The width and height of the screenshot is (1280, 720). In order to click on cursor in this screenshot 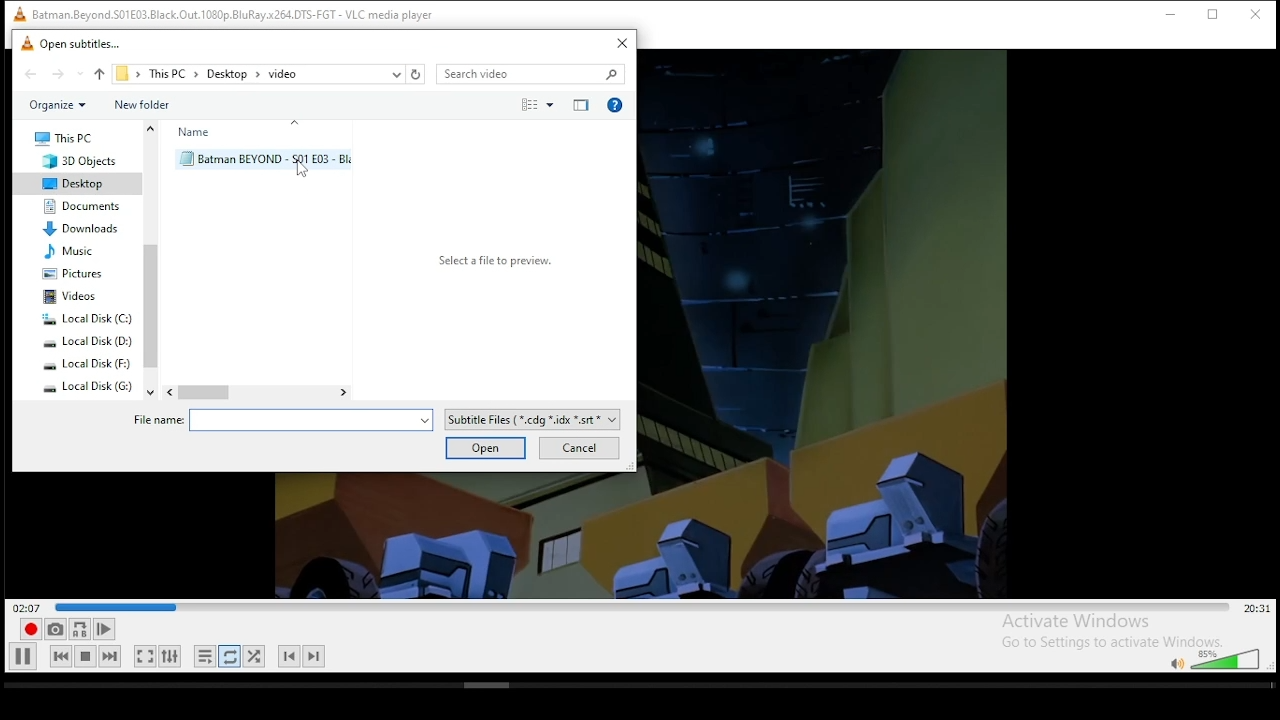, I will do `click(308, 170)`.